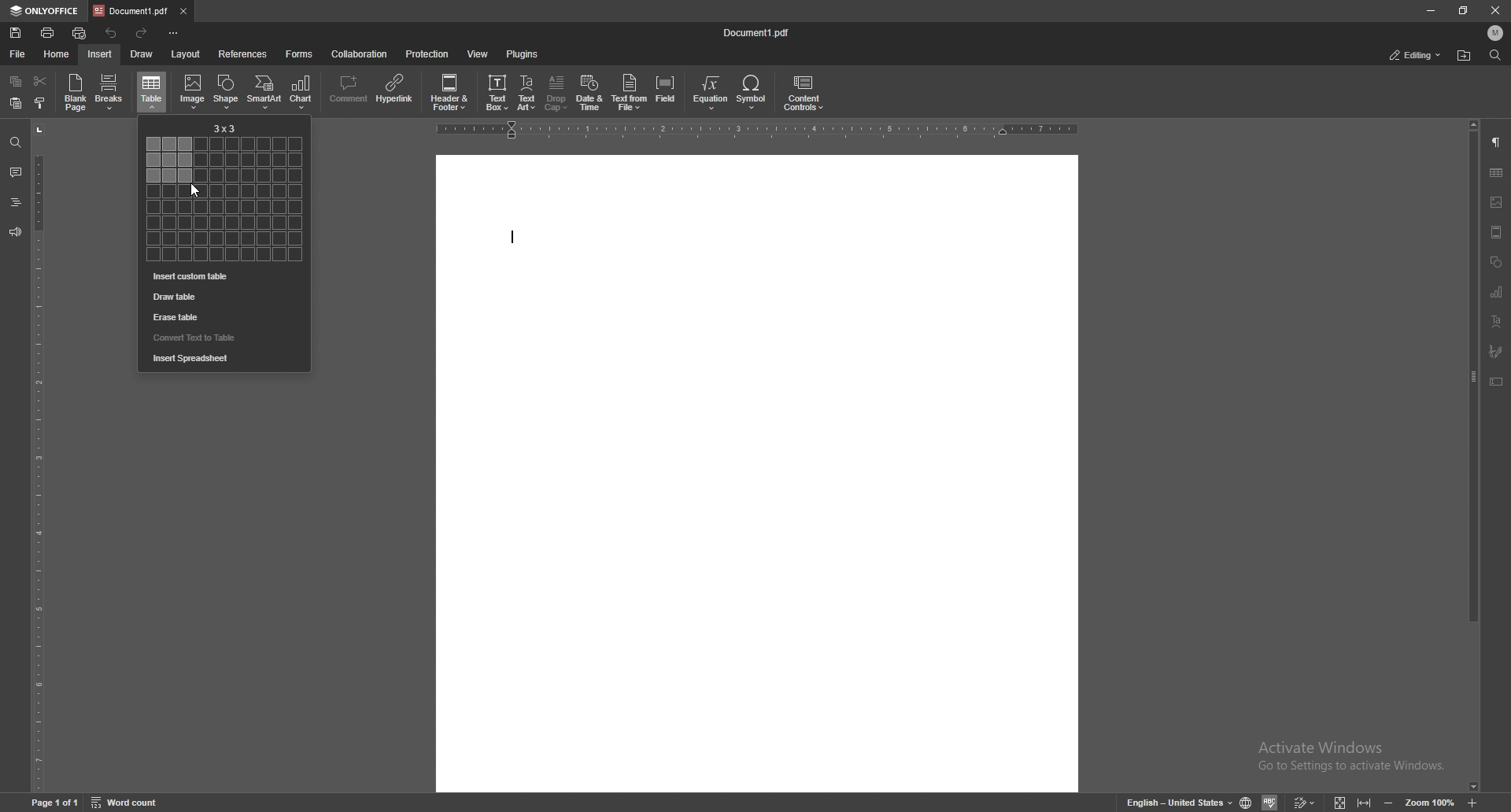  I want to click on image, so click(1497, 201).